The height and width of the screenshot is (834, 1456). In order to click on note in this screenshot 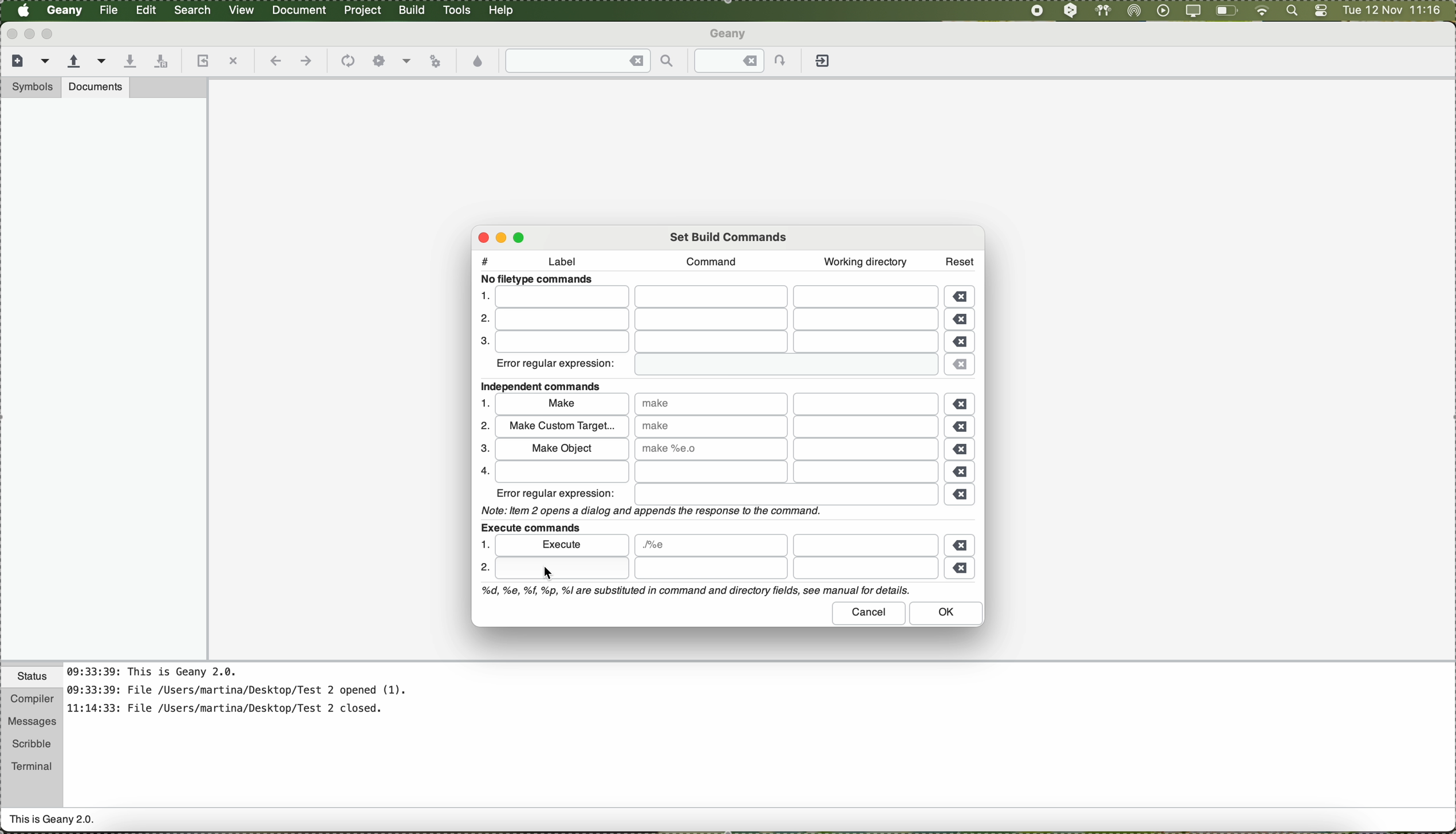, I will do `click(694, 591)`.